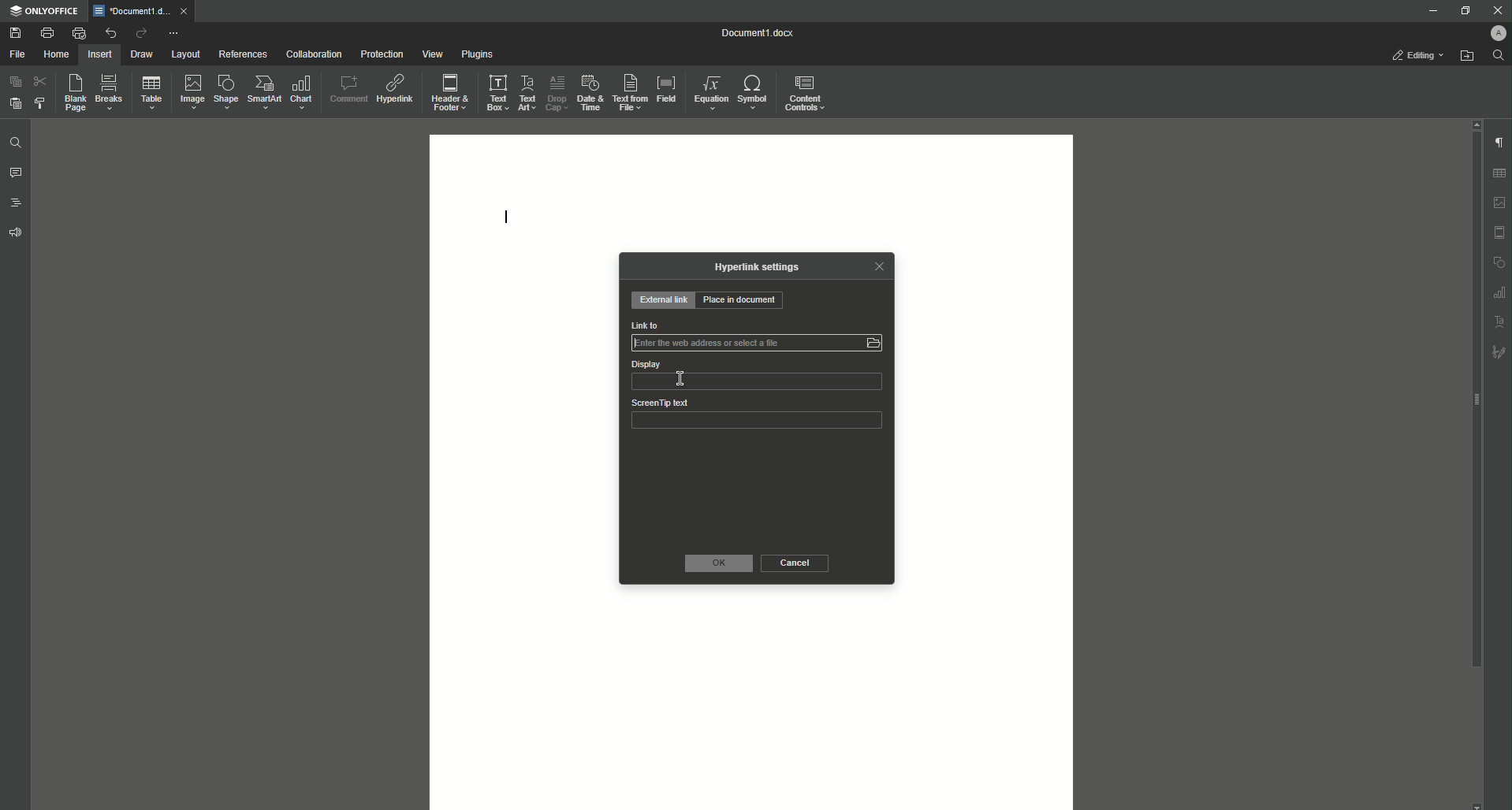 This screenshot has width=1512, height=810. What do you see at coordinates (450, 92) in the screenshot?
I see `Header and Footer` at bounding box center [450, 92].